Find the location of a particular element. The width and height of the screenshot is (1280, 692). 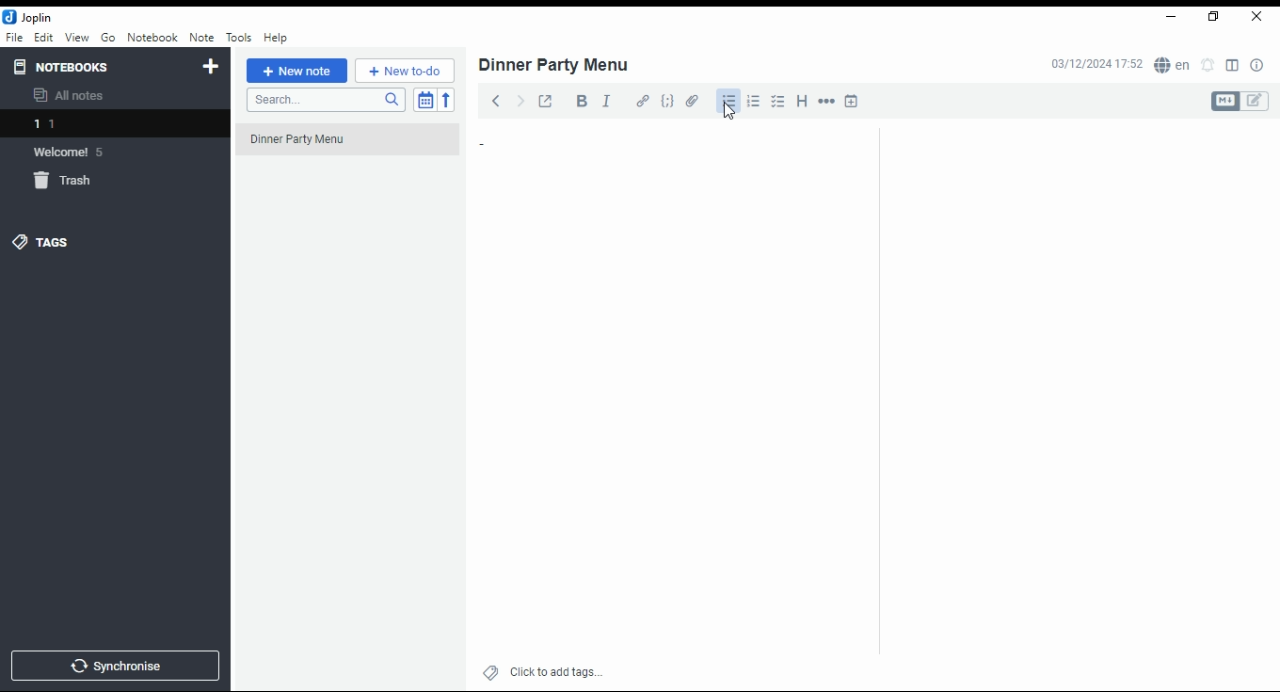

notes properties is located at coordinates (1258, 65).